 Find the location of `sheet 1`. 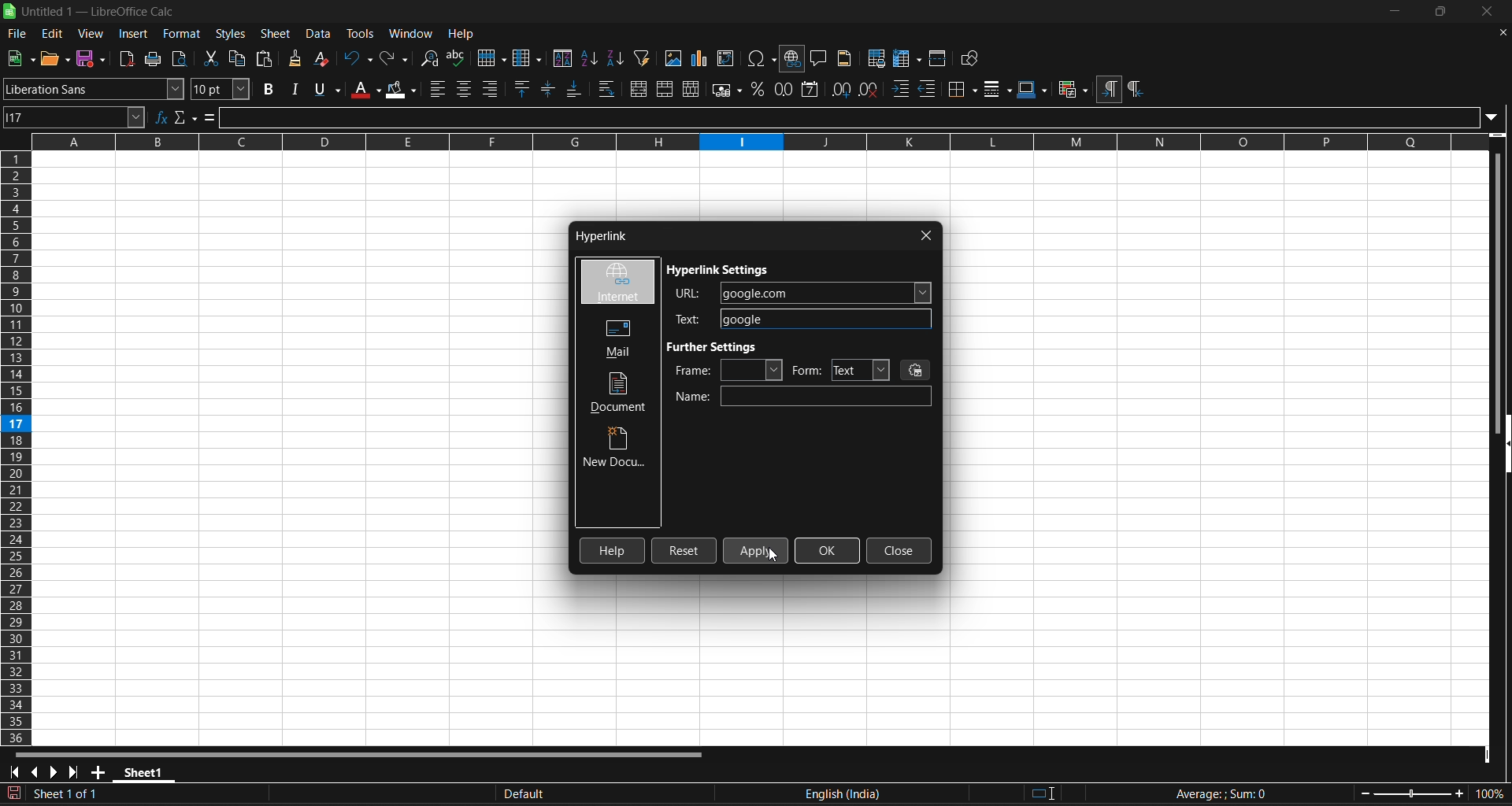

sheet 1 is located at coordinates (144, 771).